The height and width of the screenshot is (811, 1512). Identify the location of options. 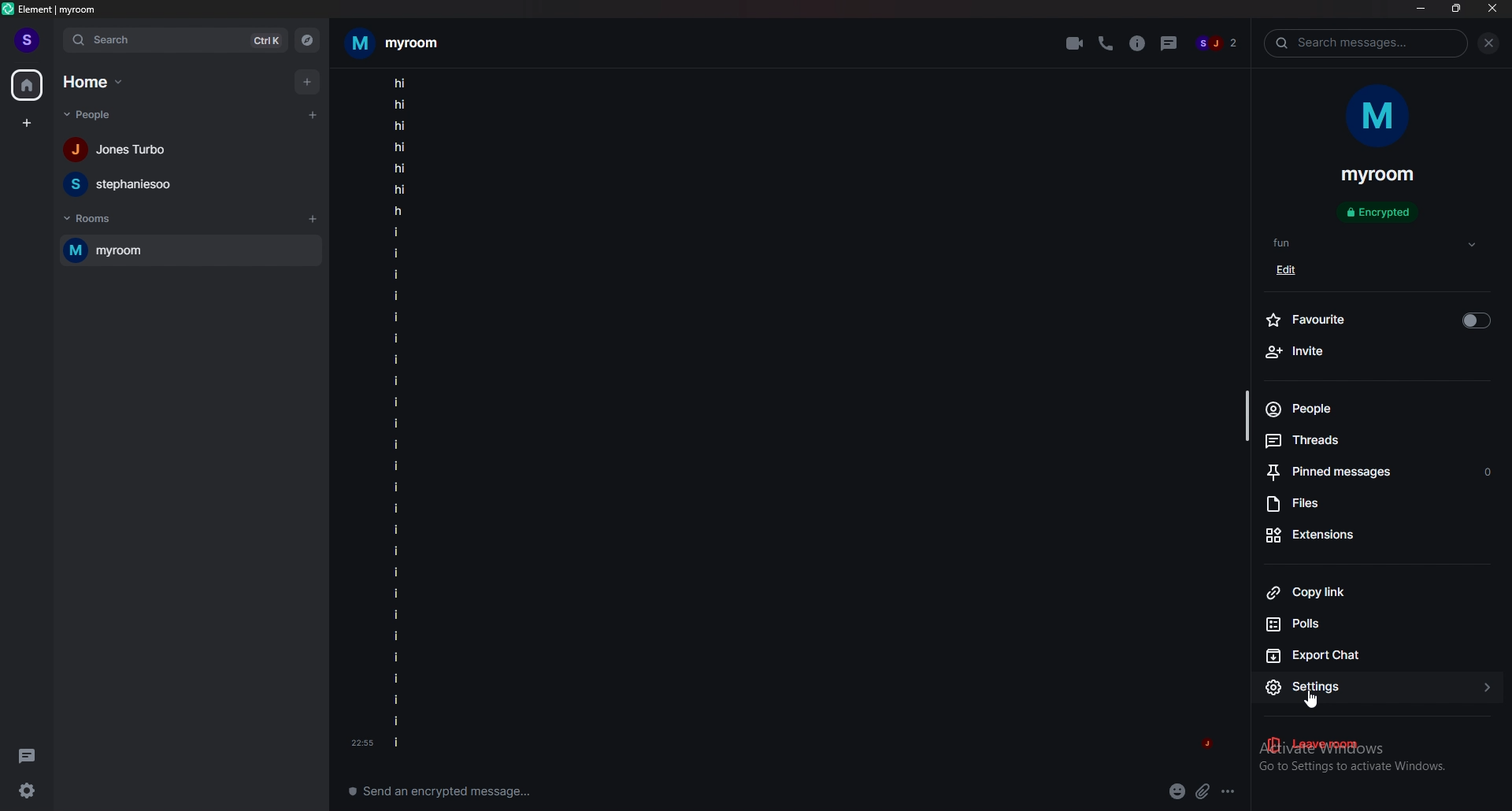
(1231, 791).